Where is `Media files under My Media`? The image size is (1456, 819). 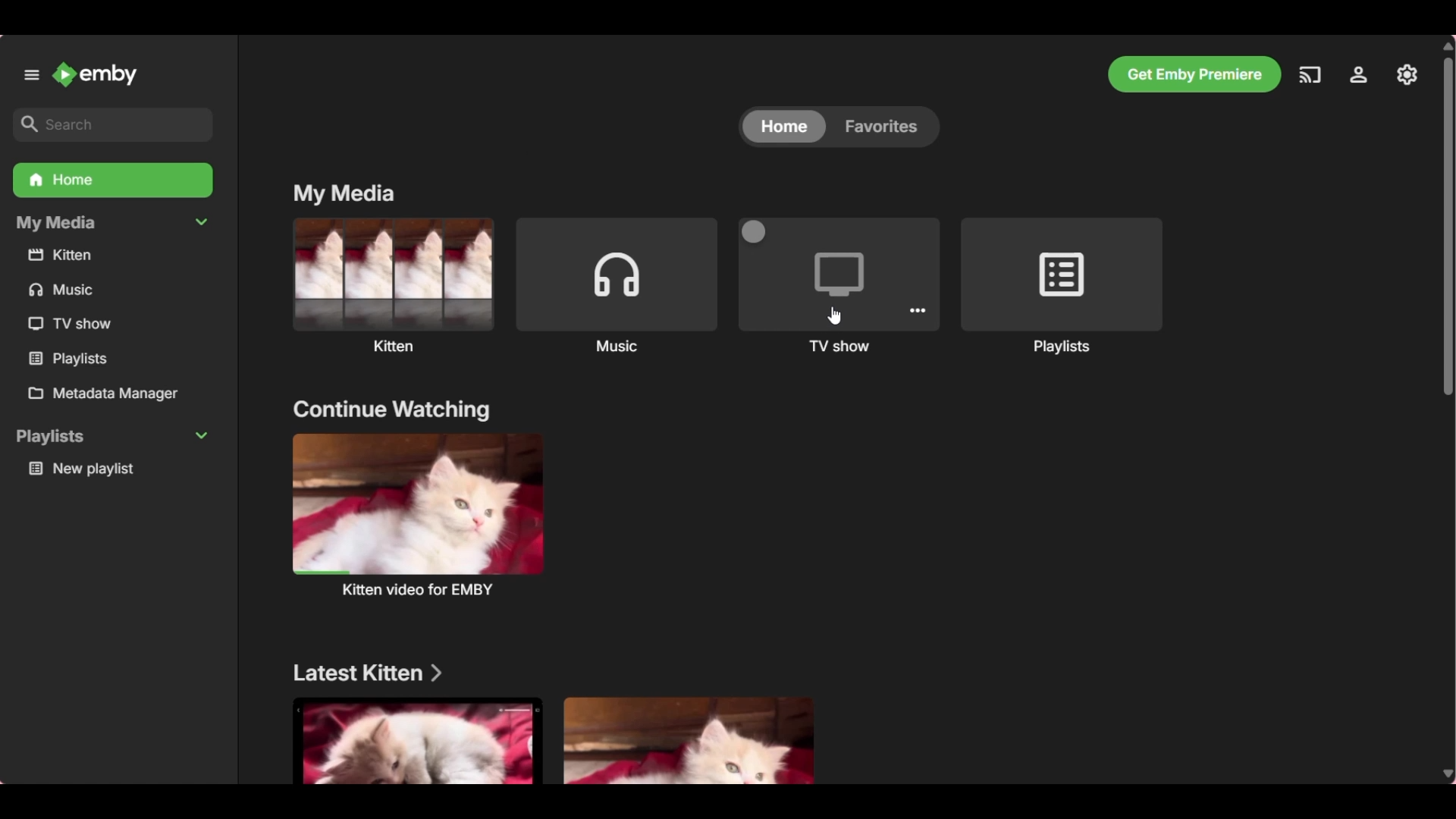
Media files under My Media is located at coordinates (70, 358).